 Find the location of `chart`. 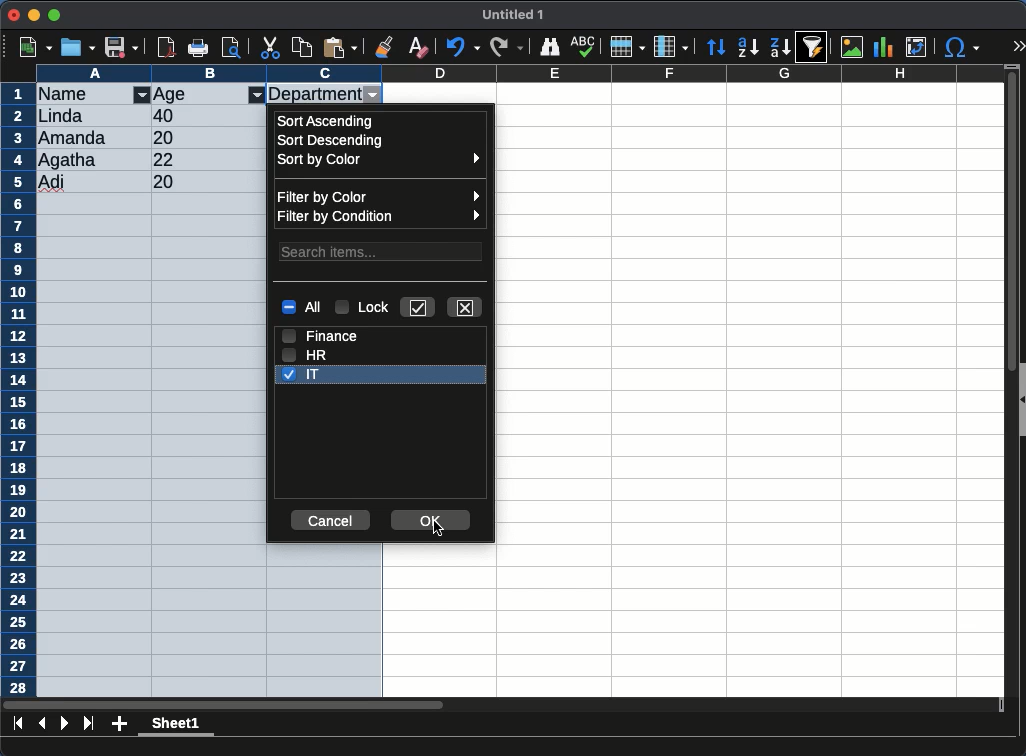

chart is located at coordinates (884, 47).